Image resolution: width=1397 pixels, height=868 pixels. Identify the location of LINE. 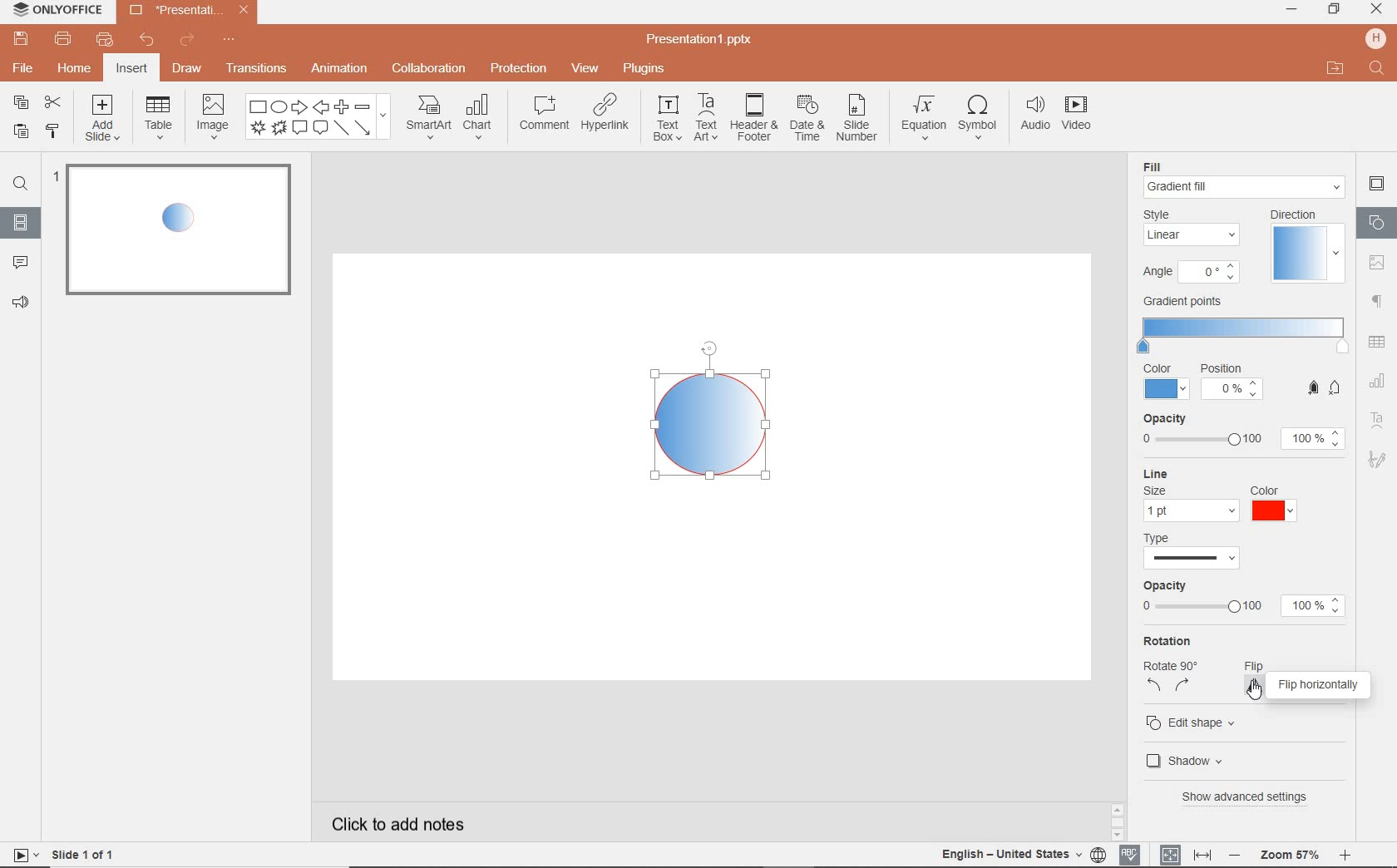
(1227, 474).